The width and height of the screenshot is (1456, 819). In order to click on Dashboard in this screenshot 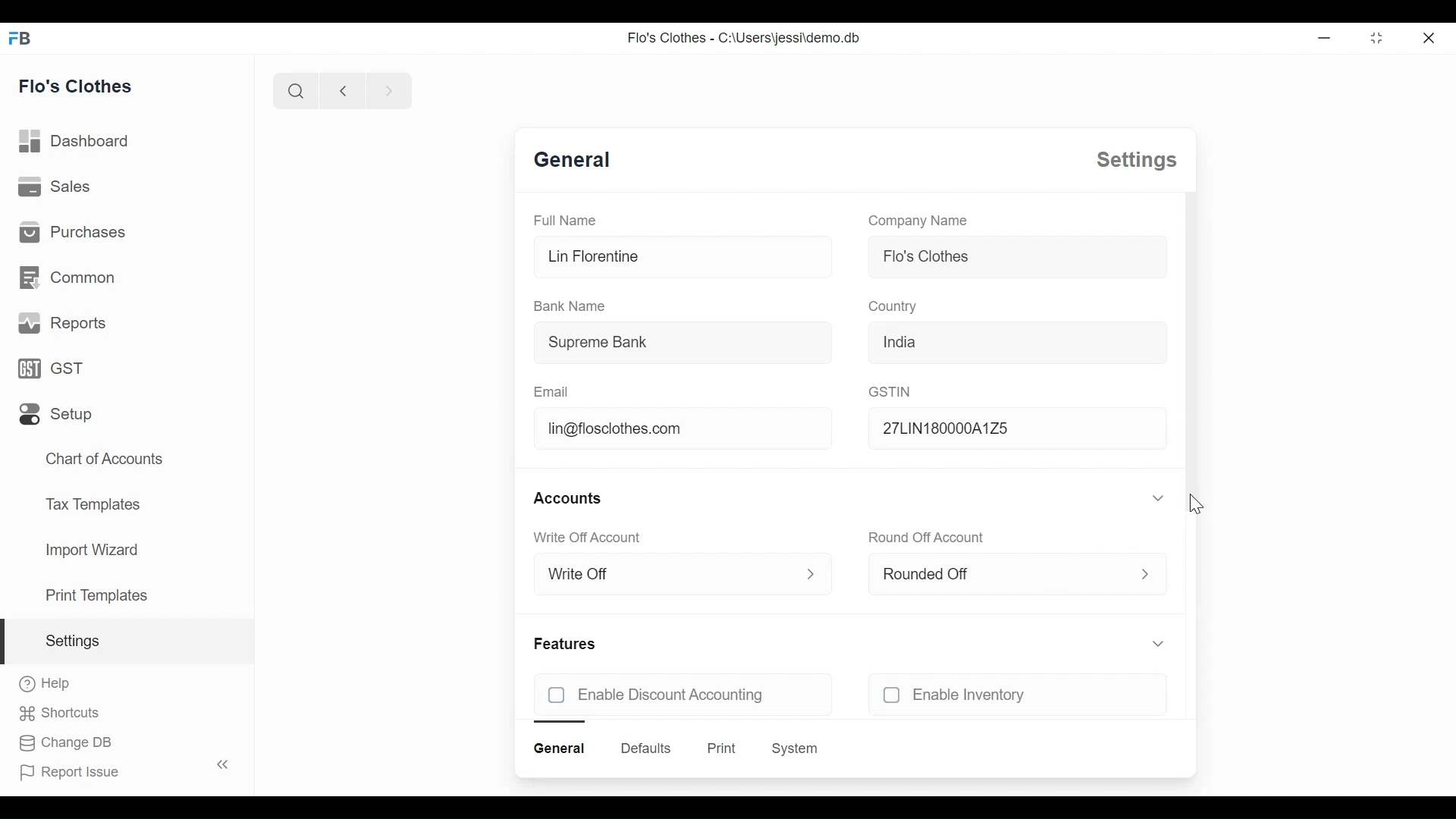, I will do `click(74, 142)`.